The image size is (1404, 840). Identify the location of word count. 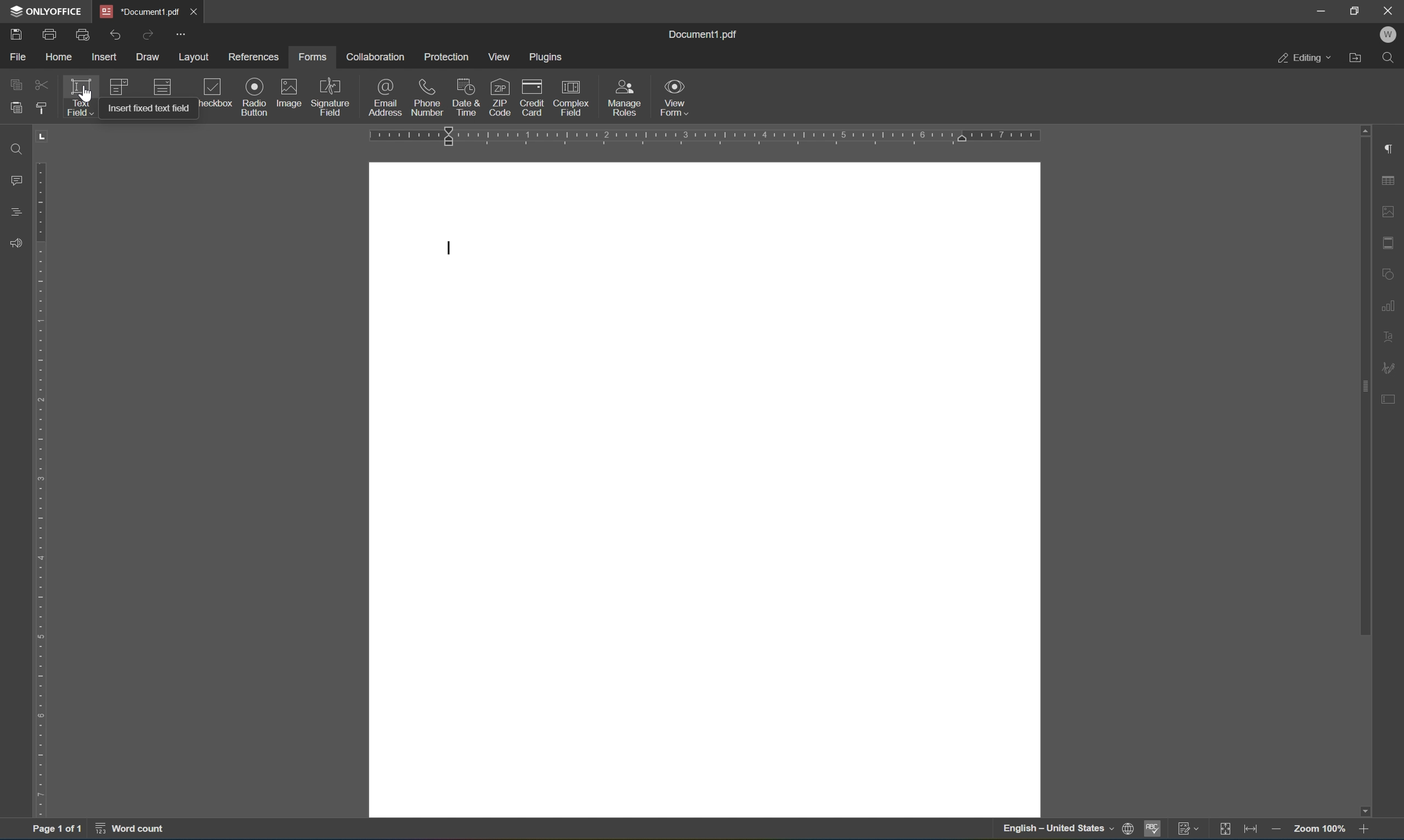
(136, 830).